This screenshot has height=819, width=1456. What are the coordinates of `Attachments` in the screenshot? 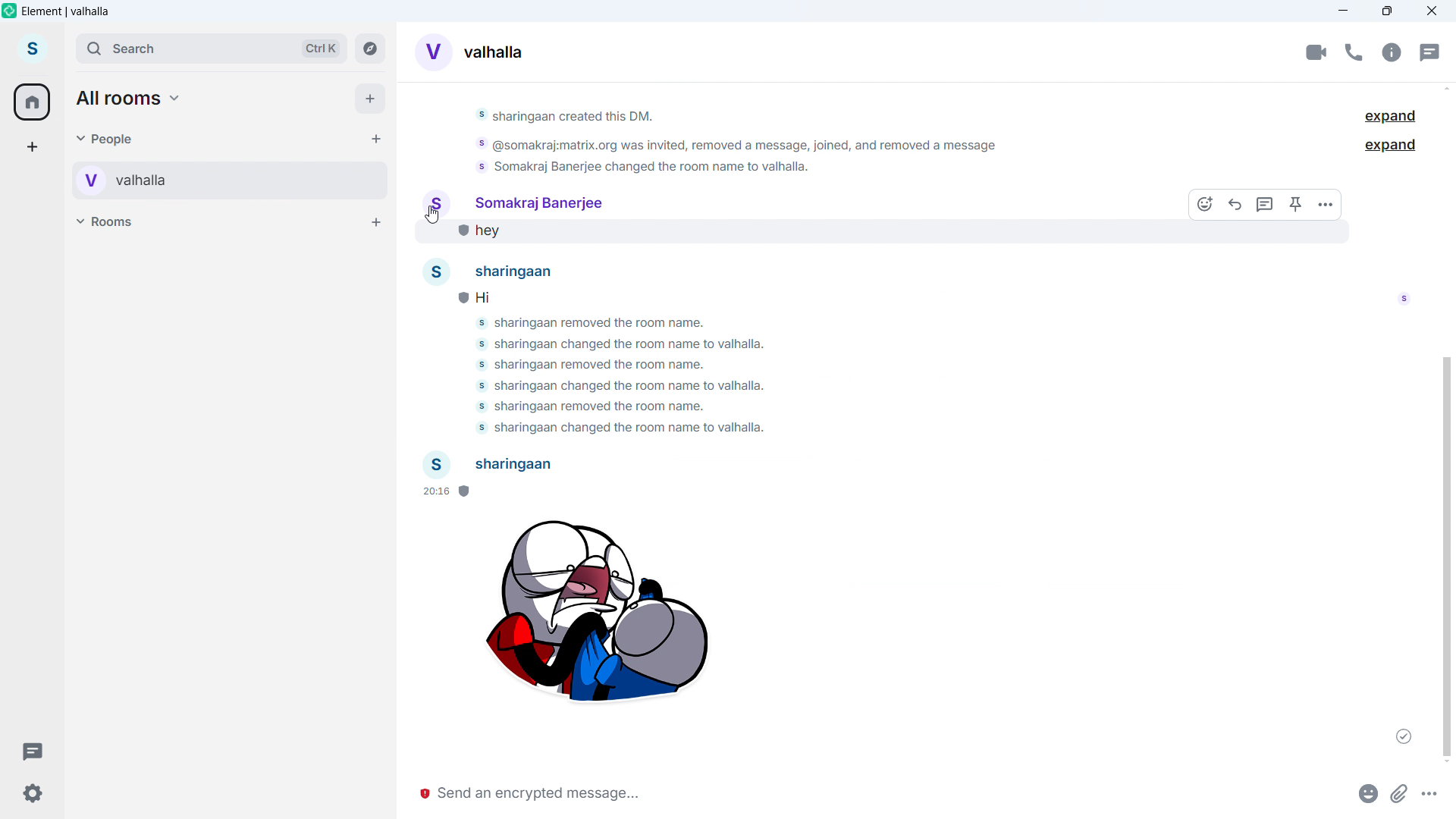 It's located at (1400, 792).